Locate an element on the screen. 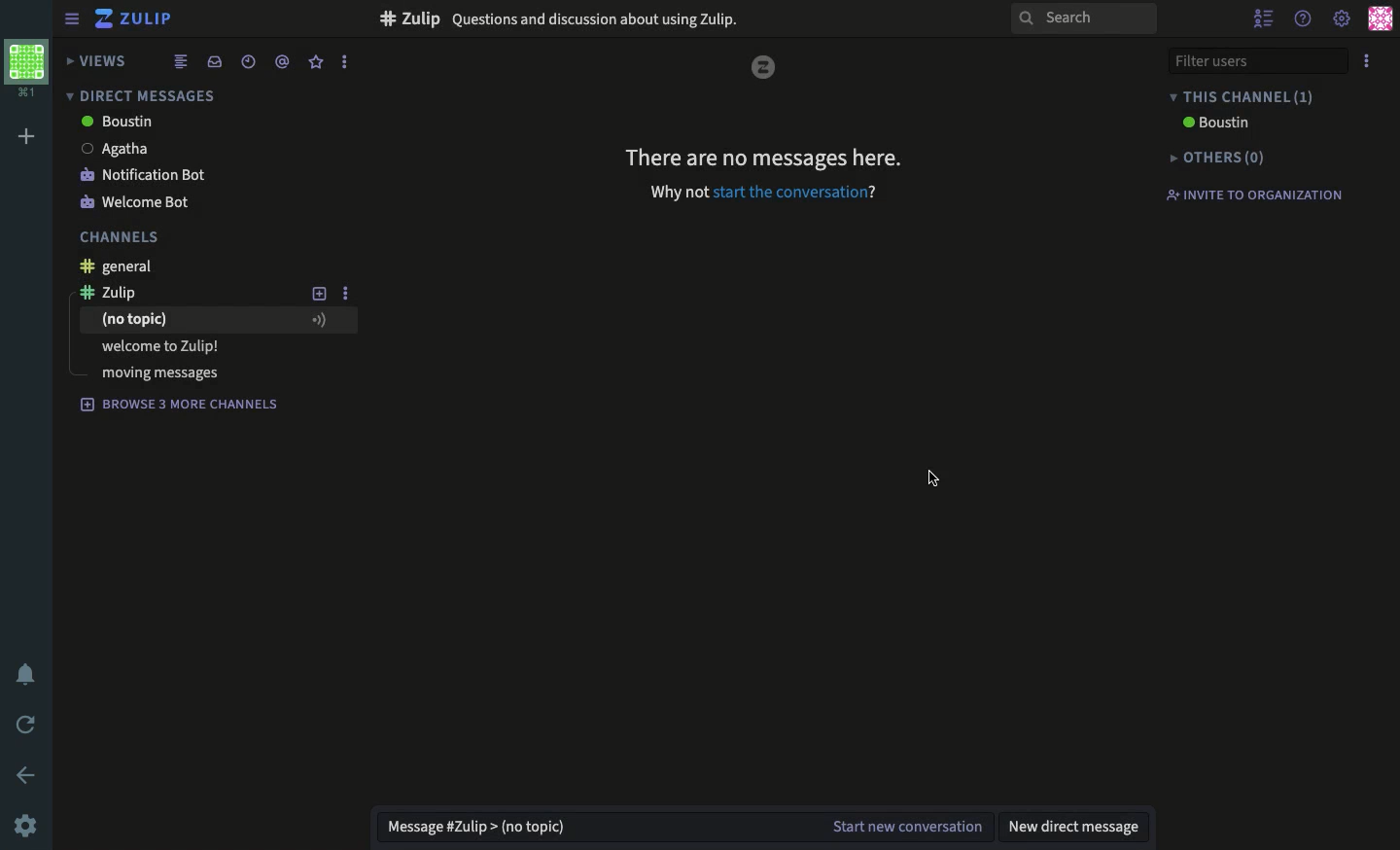 This screenshot has width=1400, height=850. settings is located at coordinates (28, 824).